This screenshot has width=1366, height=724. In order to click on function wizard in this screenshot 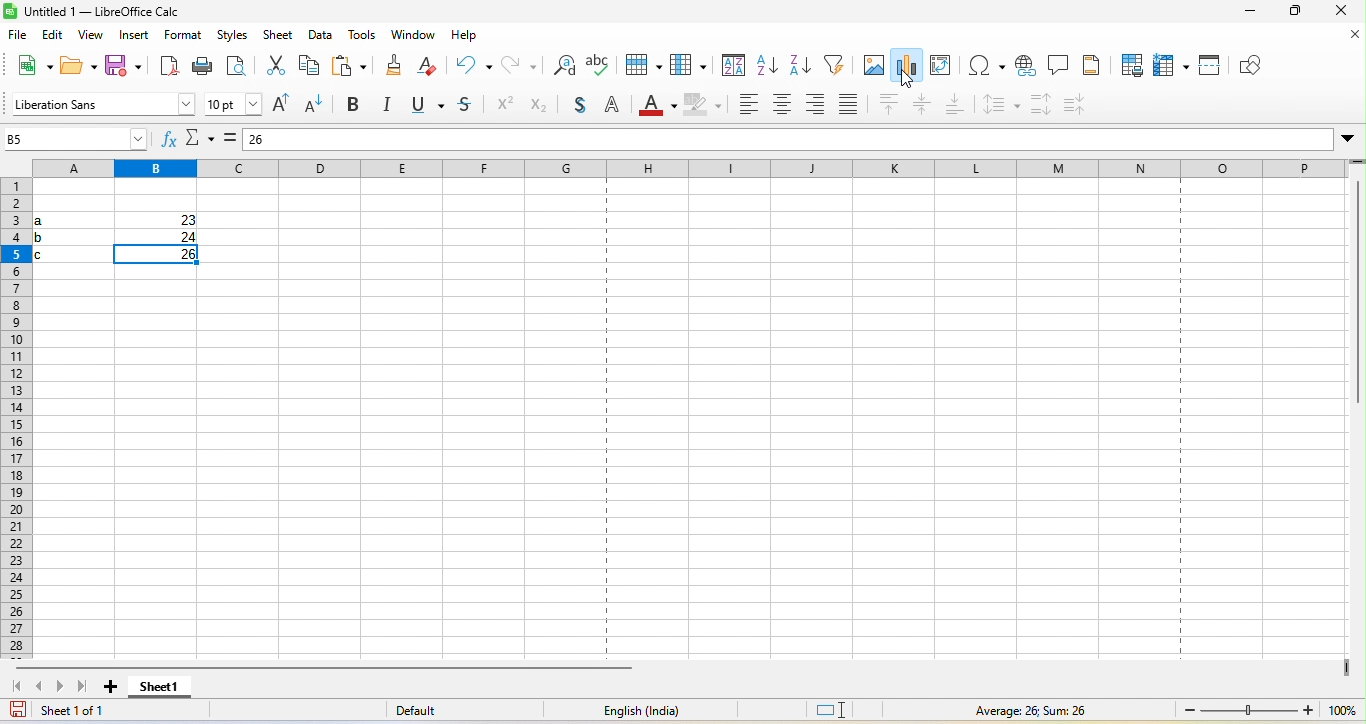, I will do `click(163, 142)`.